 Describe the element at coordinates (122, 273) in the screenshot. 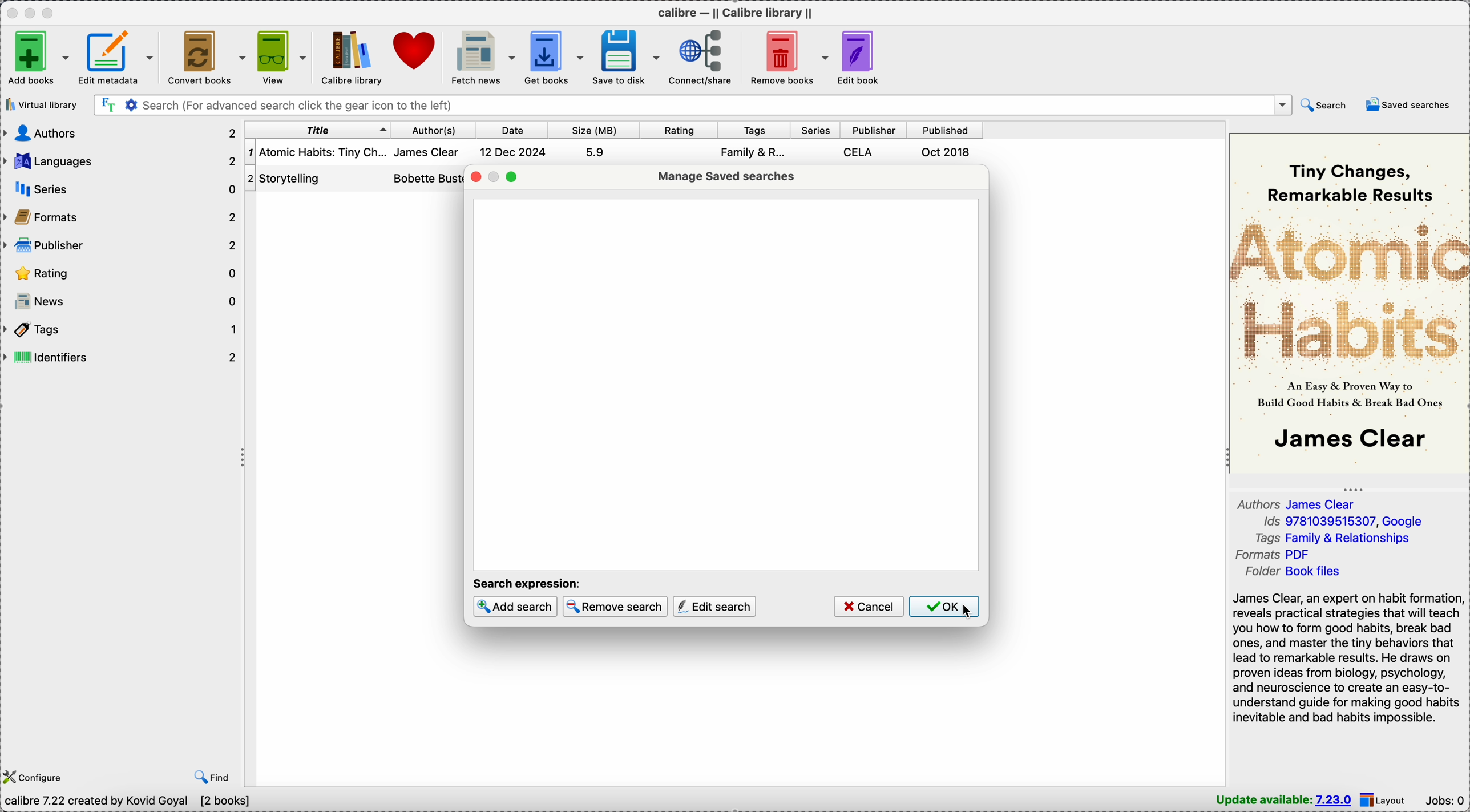

I see `rating` at that location.